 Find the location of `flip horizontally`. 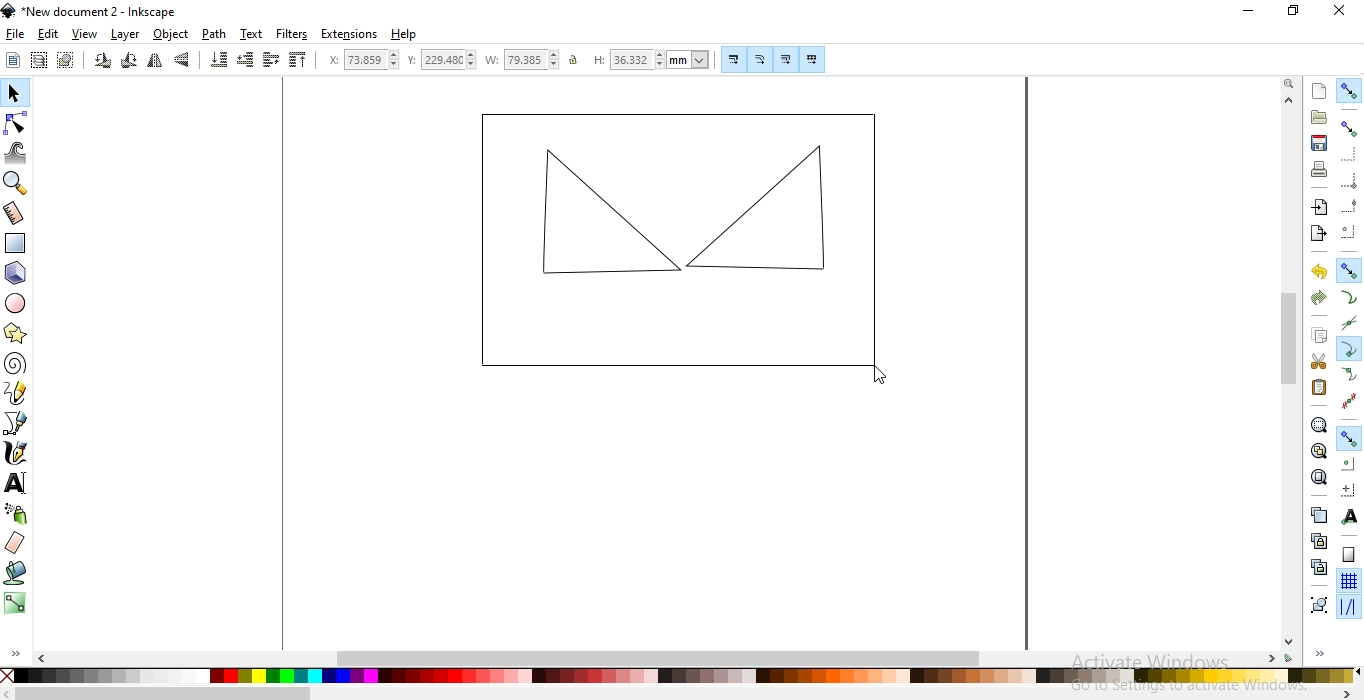

flip horizontally is located at coordinates (155, 61).